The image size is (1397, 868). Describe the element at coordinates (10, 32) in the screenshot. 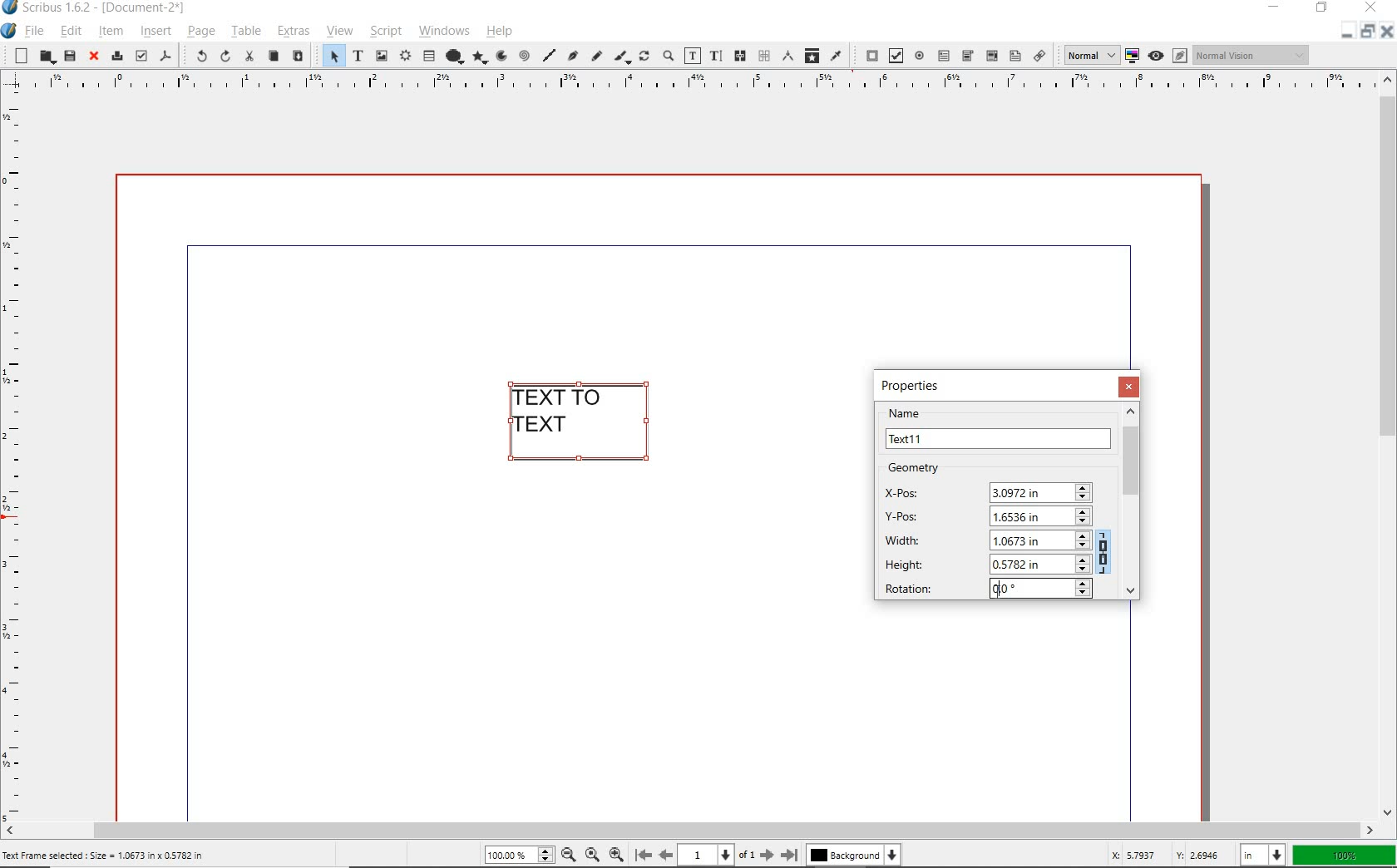

I see `system icon` at that location.